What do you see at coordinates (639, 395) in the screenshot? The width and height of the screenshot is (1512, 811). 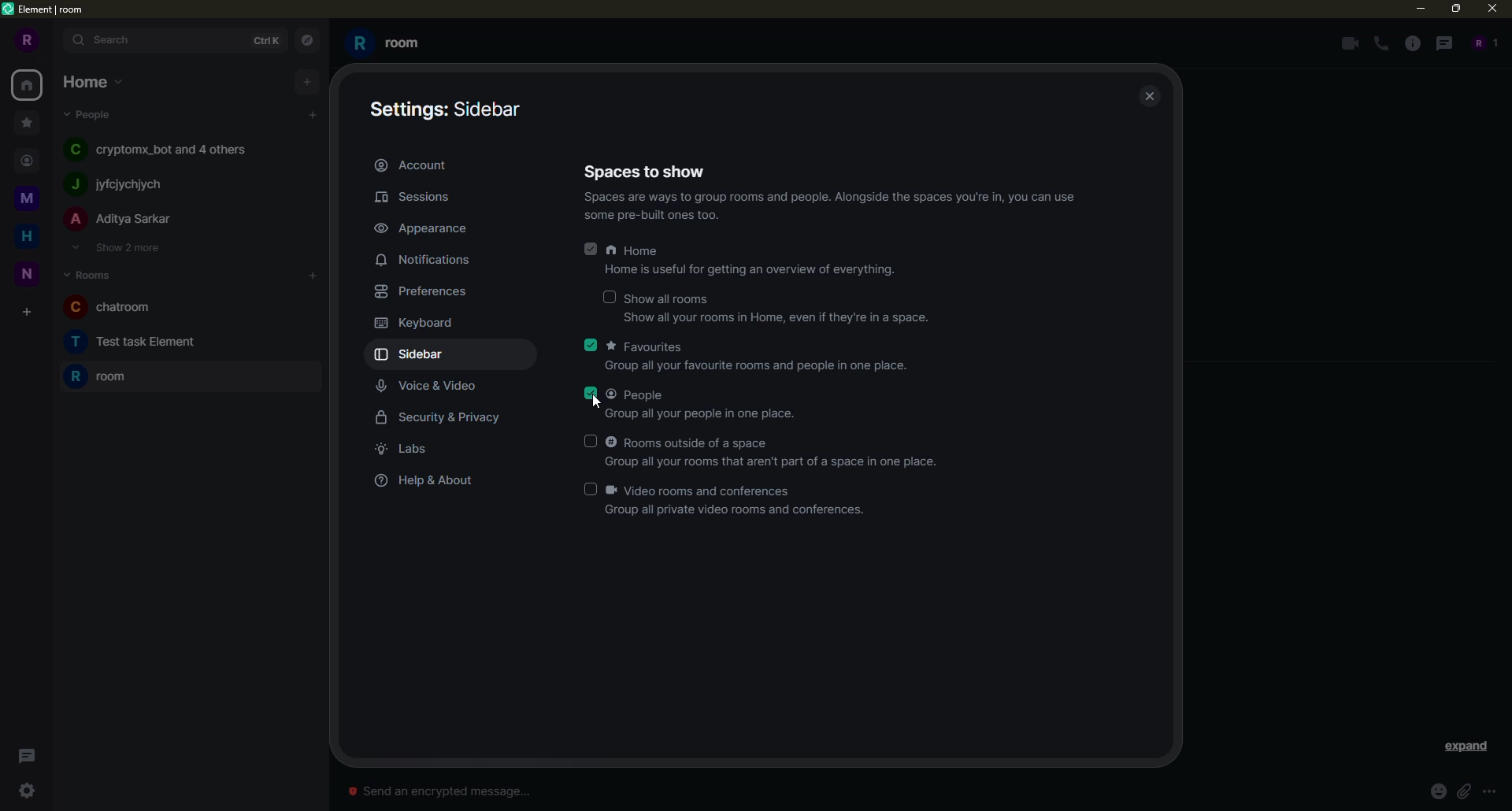 I see `people` at bounding box center [639, 395].